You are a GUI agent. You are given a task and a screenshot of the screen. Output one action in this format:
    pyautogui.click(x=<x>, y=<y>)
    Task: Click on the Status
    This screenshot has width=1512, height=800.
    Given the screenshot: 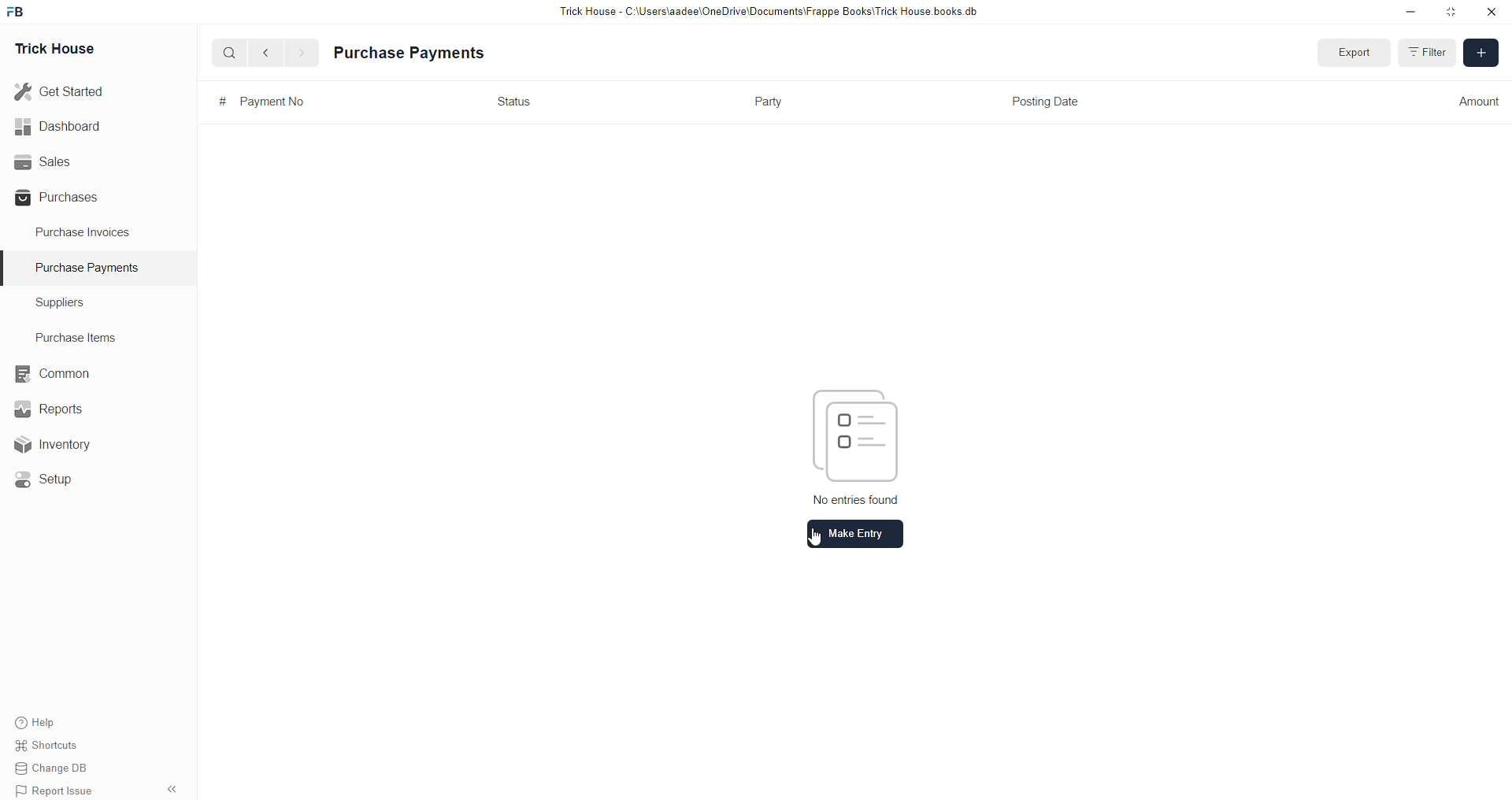 What is the action you would take?
    pyautogui.click(x=507, y=99)
    